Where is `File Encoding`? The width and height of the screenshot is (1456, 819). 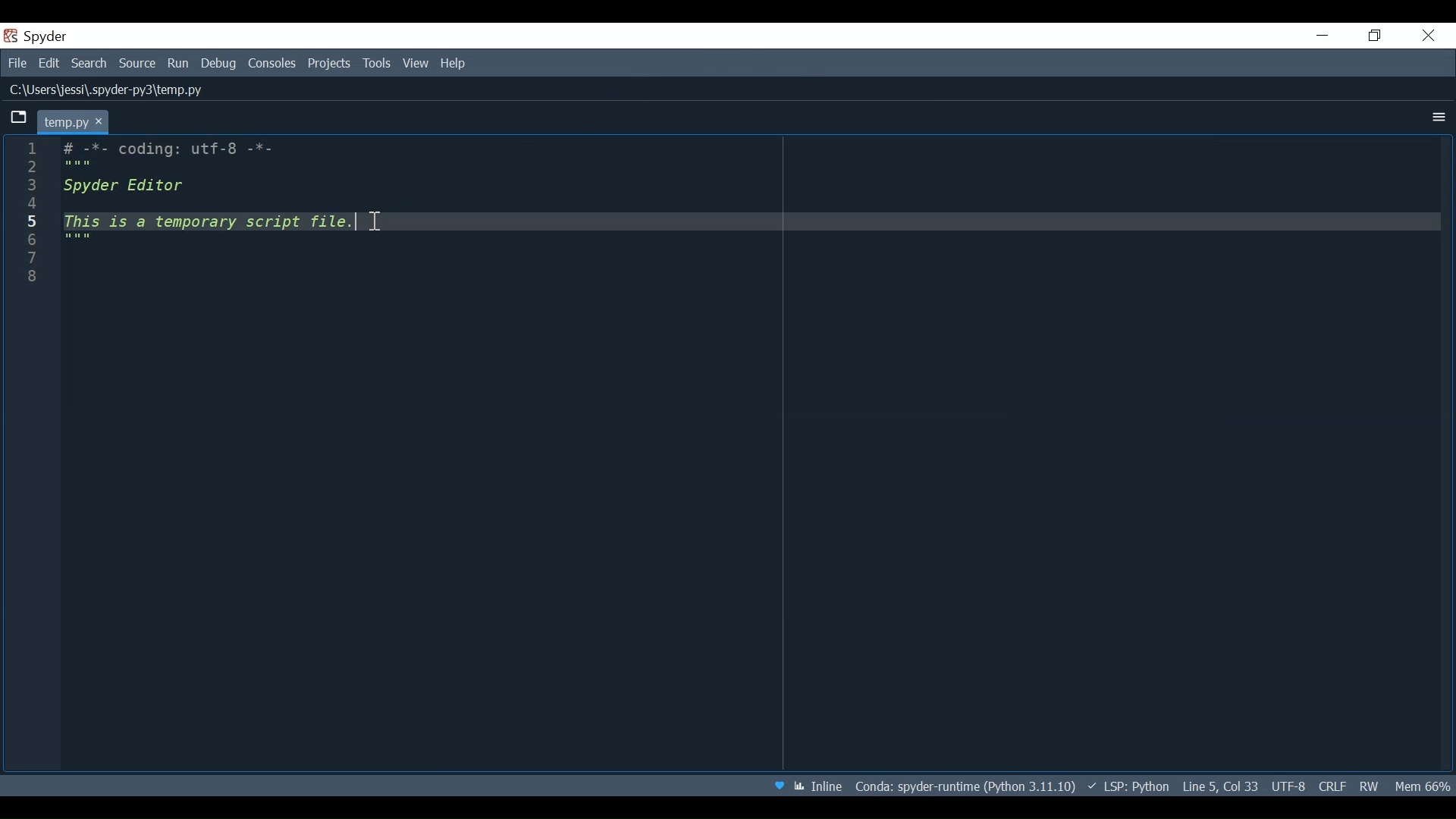
File Encoding is located at coordinates (1290, 787).